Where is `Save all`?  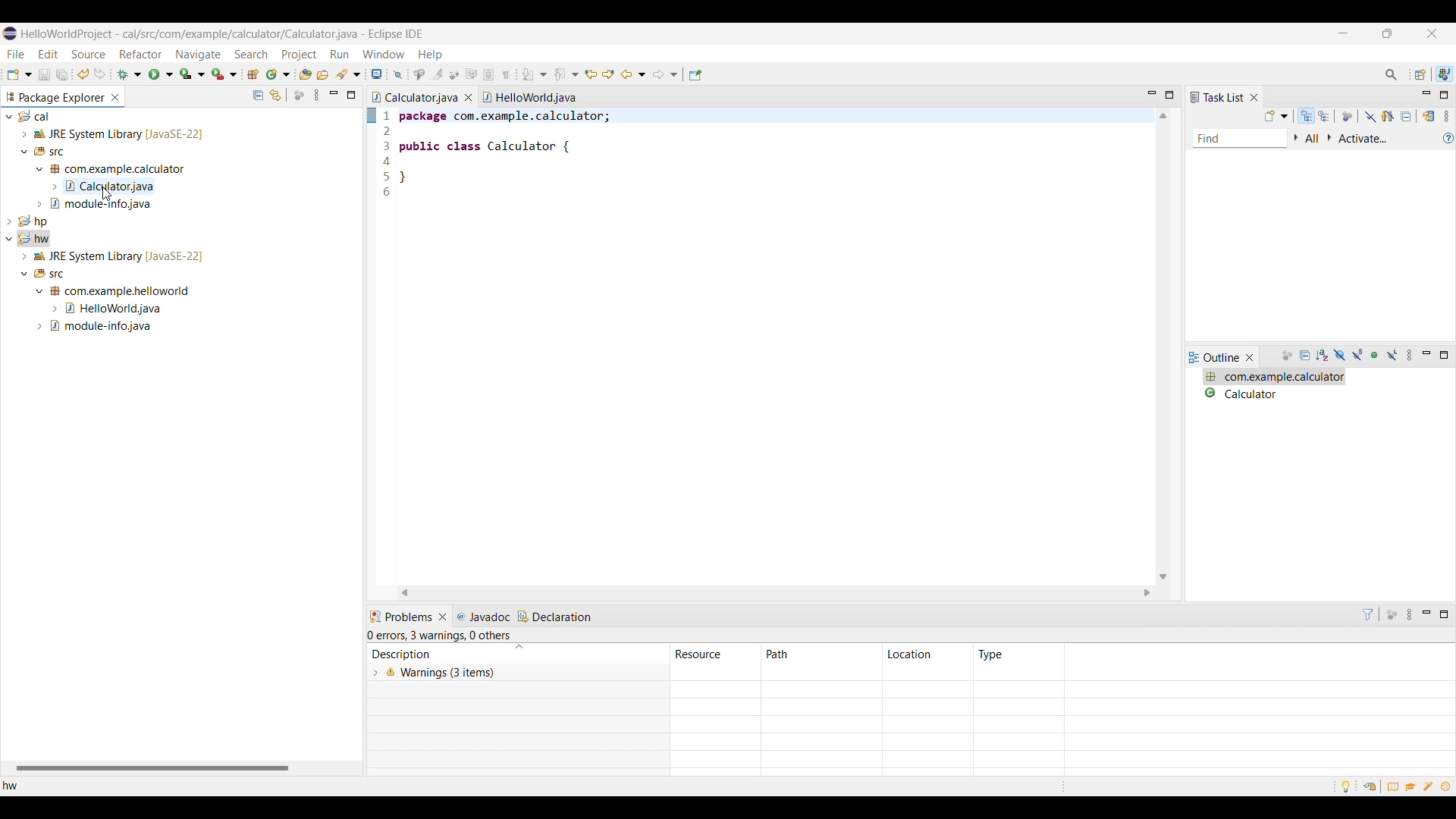
Save all is located at coordinates (62, 75).